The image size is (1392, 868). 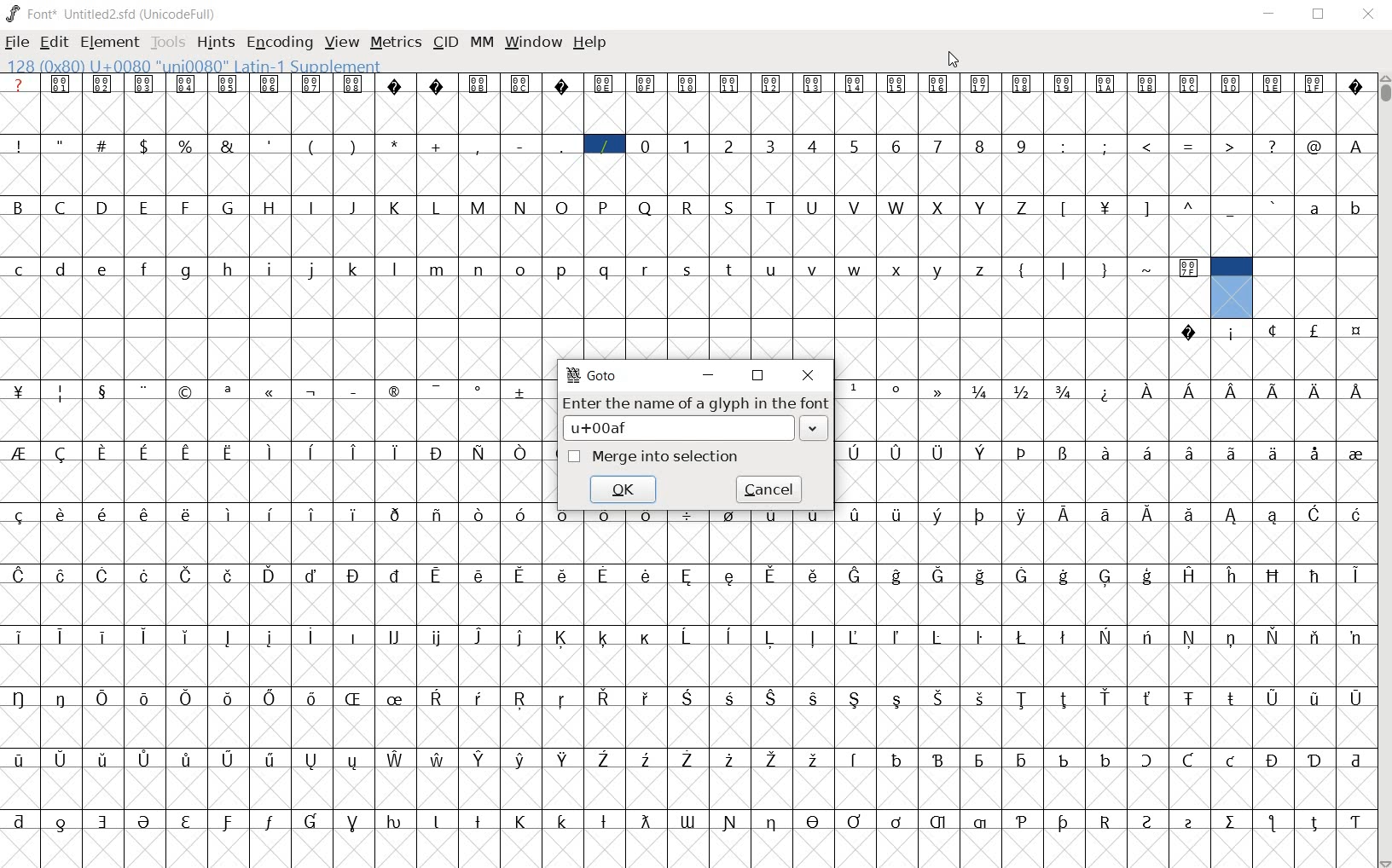 What do you see at coordinates (445, 43) in the screenshot?
I see `cid` at bounding box center [445, 43].